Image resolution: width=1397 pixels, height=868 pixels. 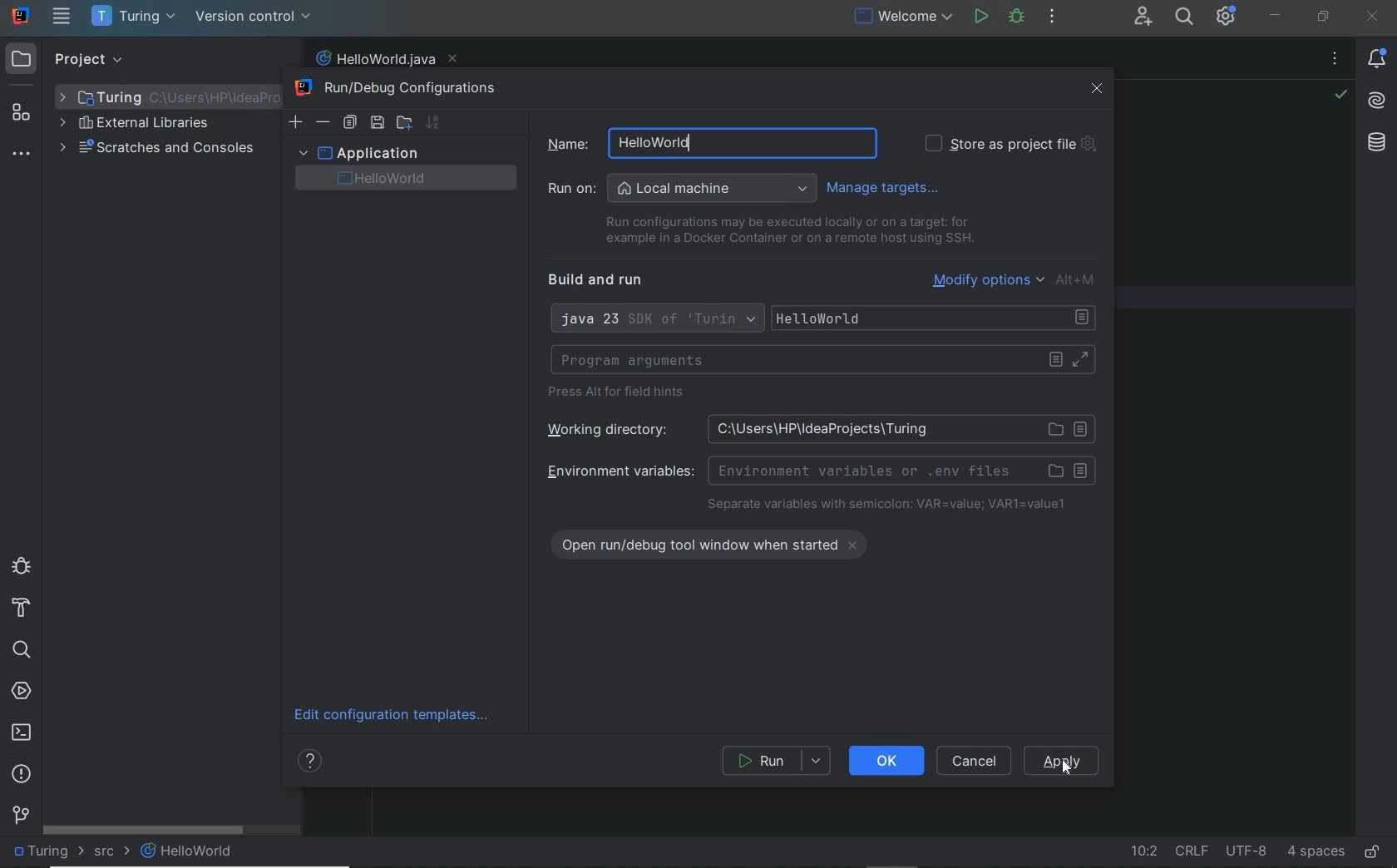 I want to click on Environment cariables, so click(x=818, y=470).